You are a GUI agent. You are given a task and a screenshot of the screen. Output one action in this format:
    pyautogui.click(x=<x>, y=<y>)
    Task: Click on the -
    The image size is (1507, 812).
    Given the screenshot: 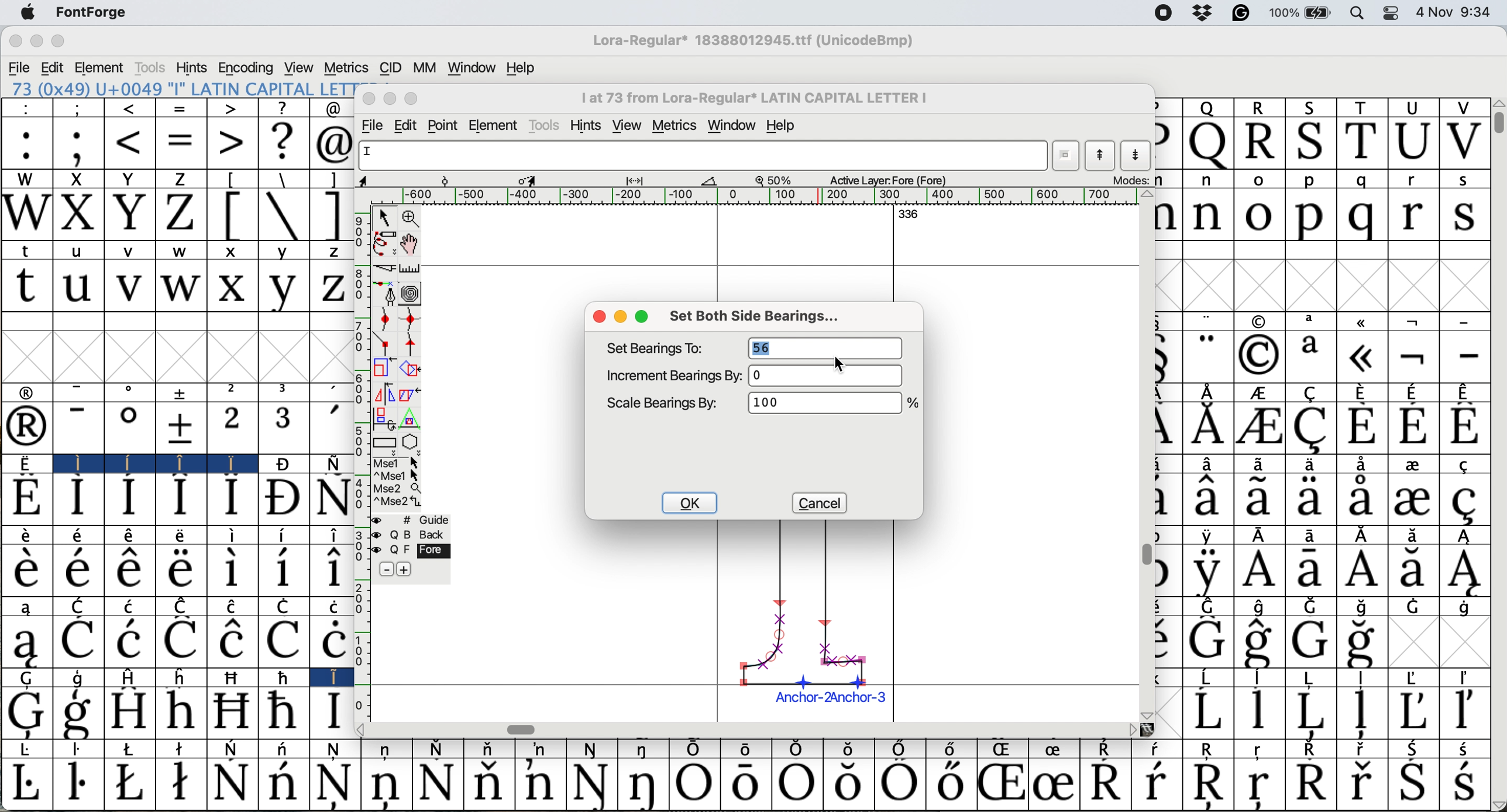 What is the action you would take?
    pyautogui.click(x=1466, y=356)
    